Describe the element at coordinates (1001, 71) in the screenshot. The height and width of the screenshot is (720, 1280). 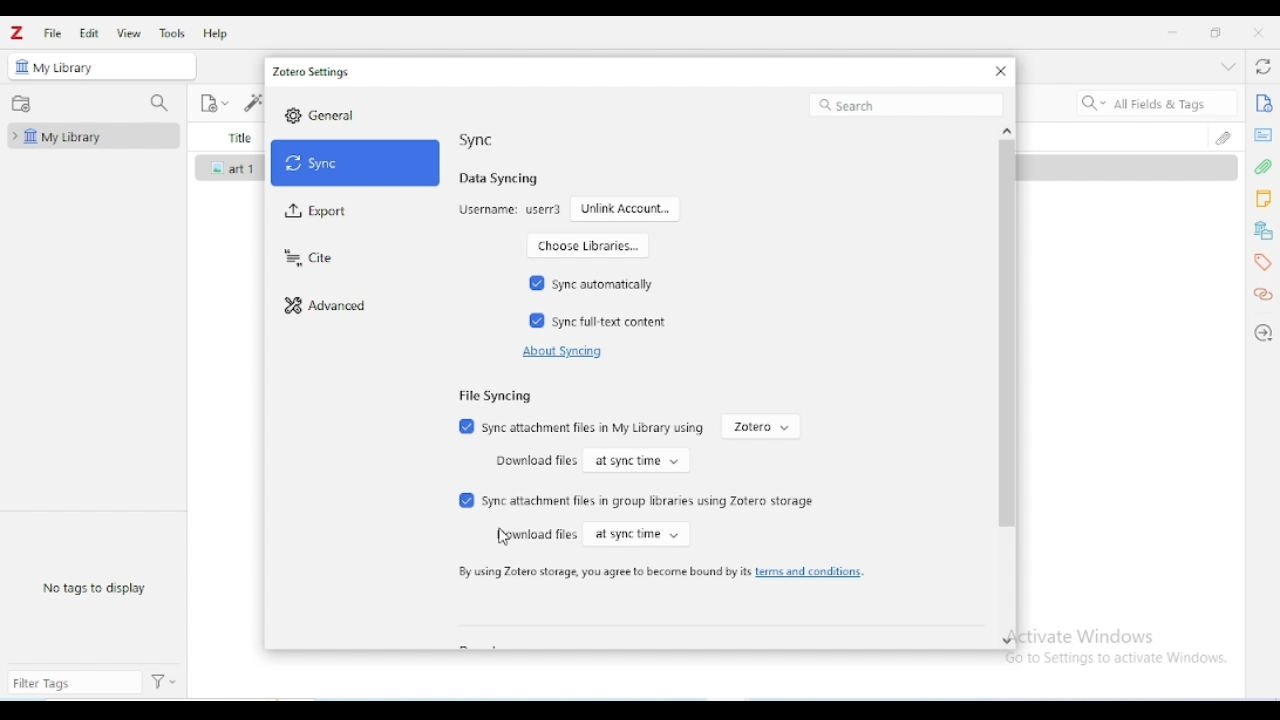
I see `close` at that location.